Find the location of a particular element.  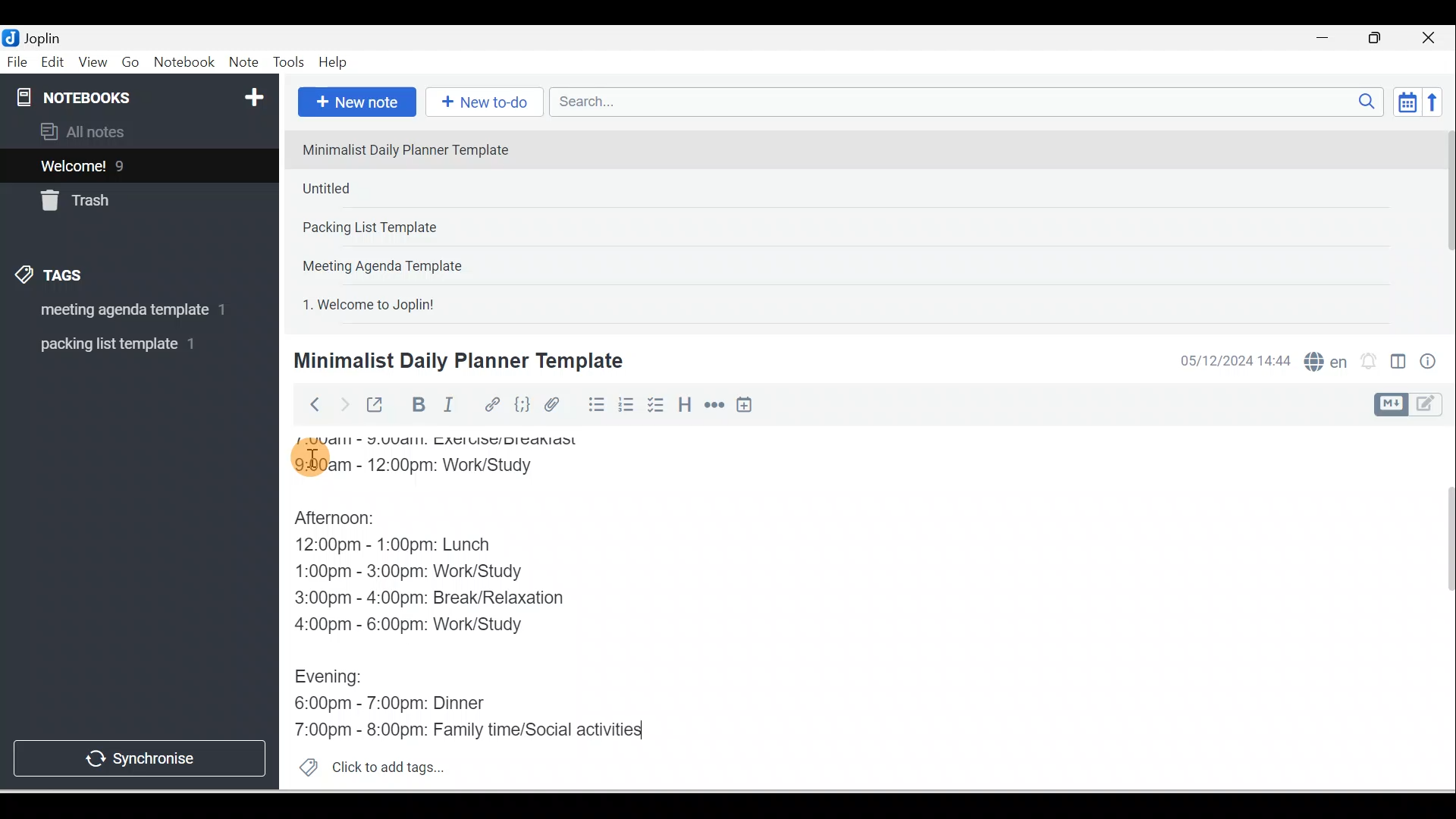

Code is located at coordinates (522, 406).